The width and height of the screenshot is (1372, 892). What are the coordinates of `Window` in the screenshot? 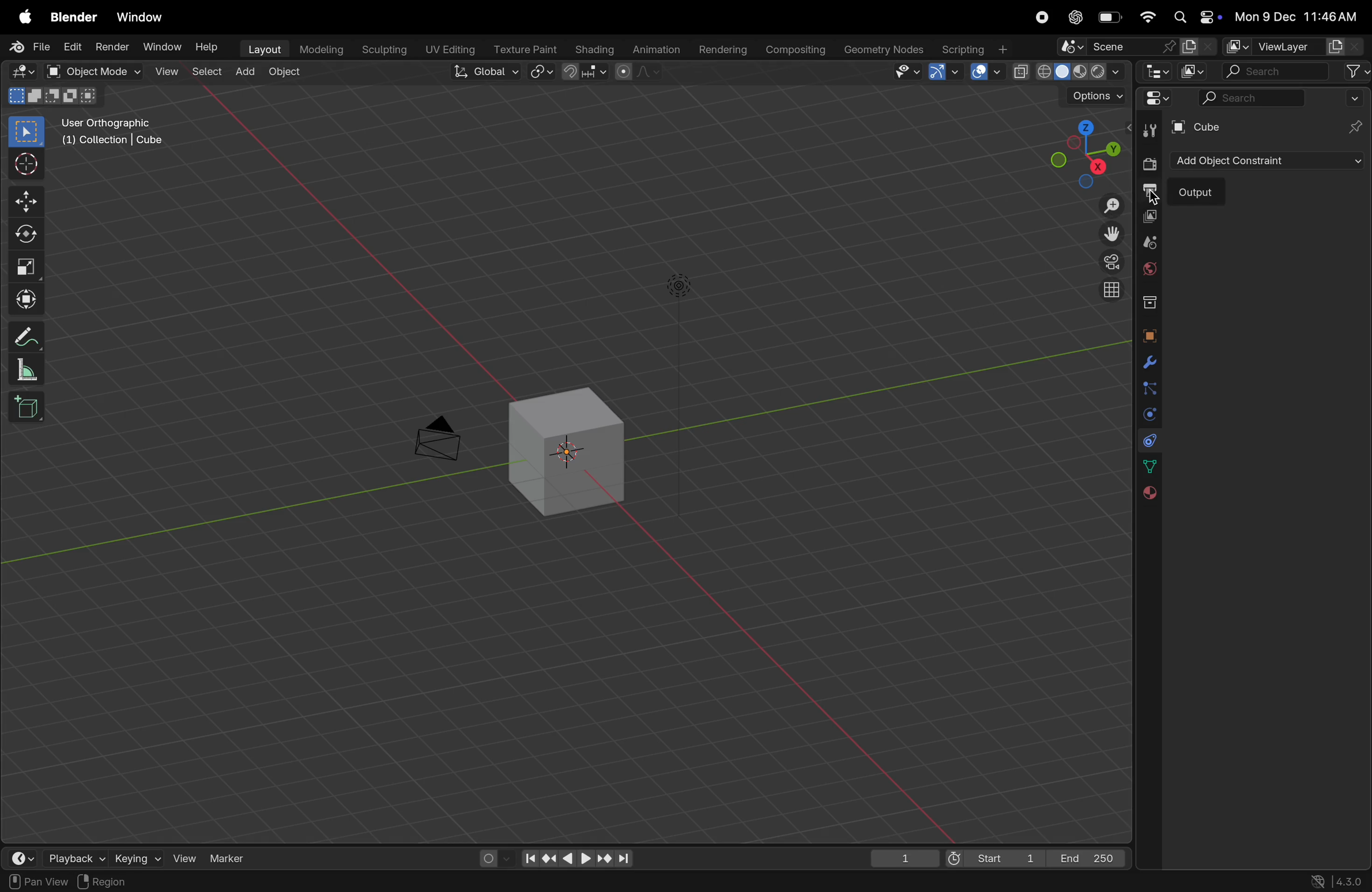 It's located at (161, 47).